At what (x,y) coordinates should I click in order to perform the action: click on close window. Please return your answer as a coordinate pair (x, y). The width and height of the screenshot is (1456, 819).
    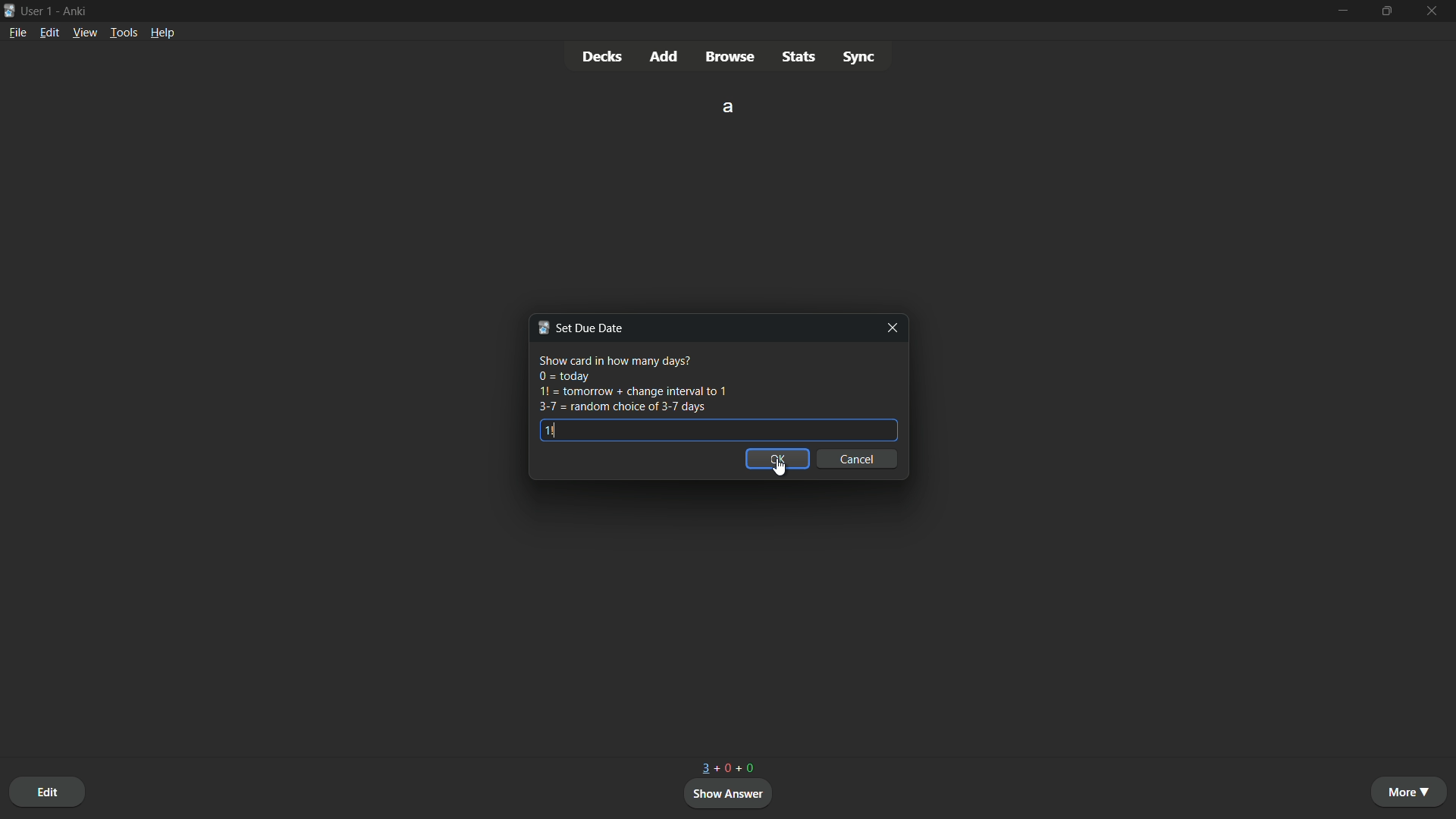
    Looking at the image, I should click on (890, 328).